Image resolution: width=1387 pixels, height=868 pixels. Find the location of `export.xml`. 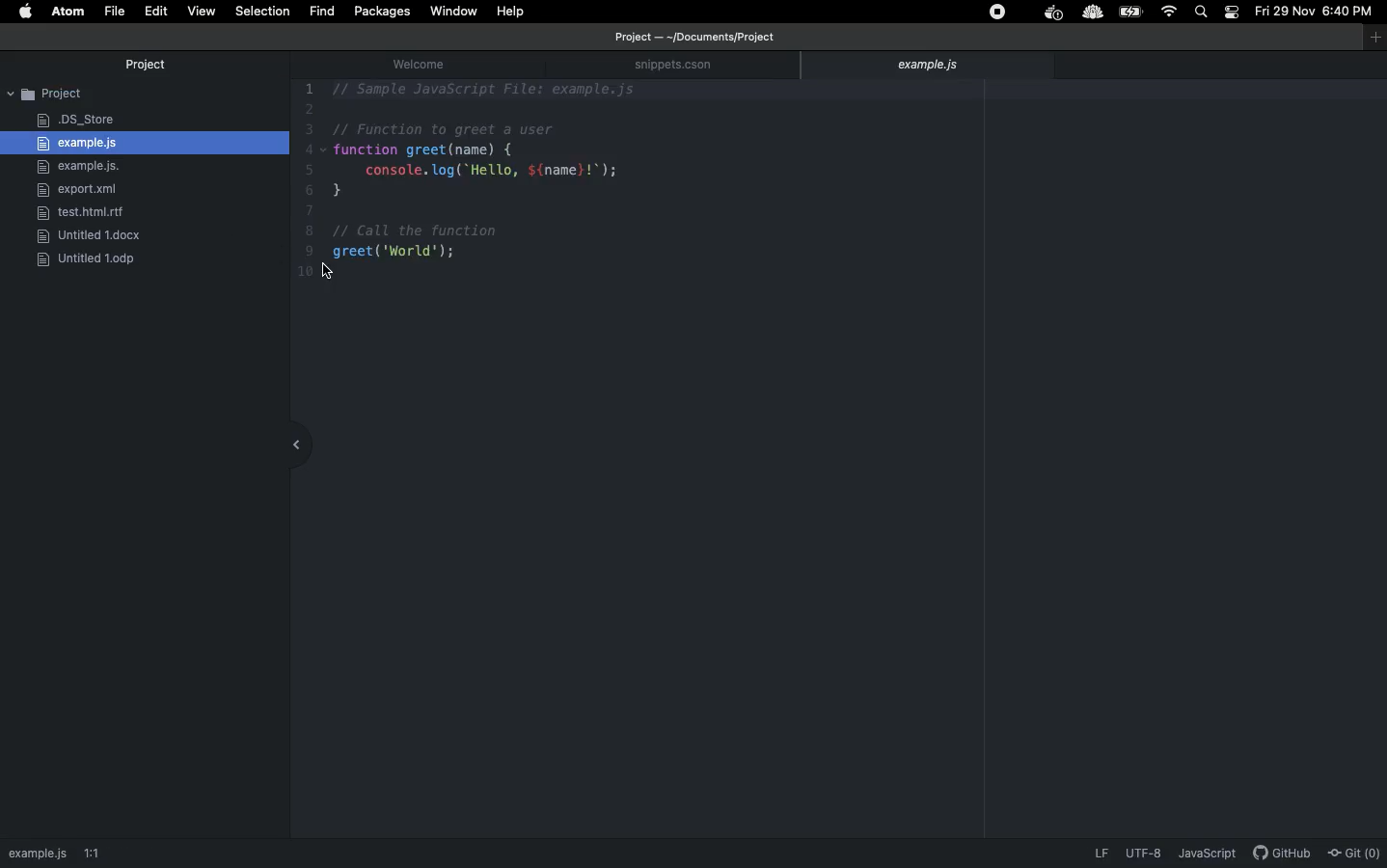

export.xml is located at coordinates (80, 191).